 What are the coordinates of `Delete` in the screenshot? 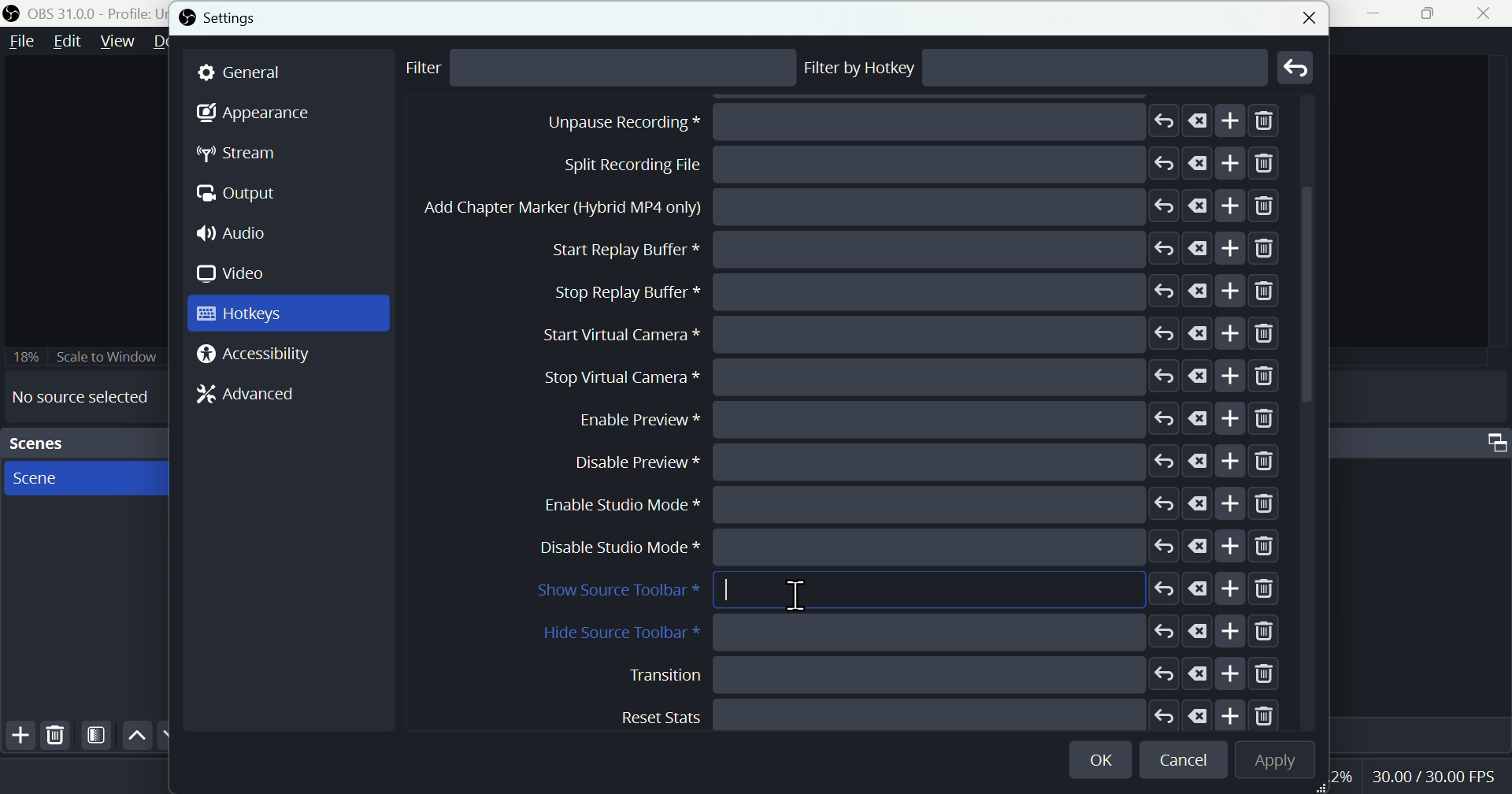 It's located at (56, 735).